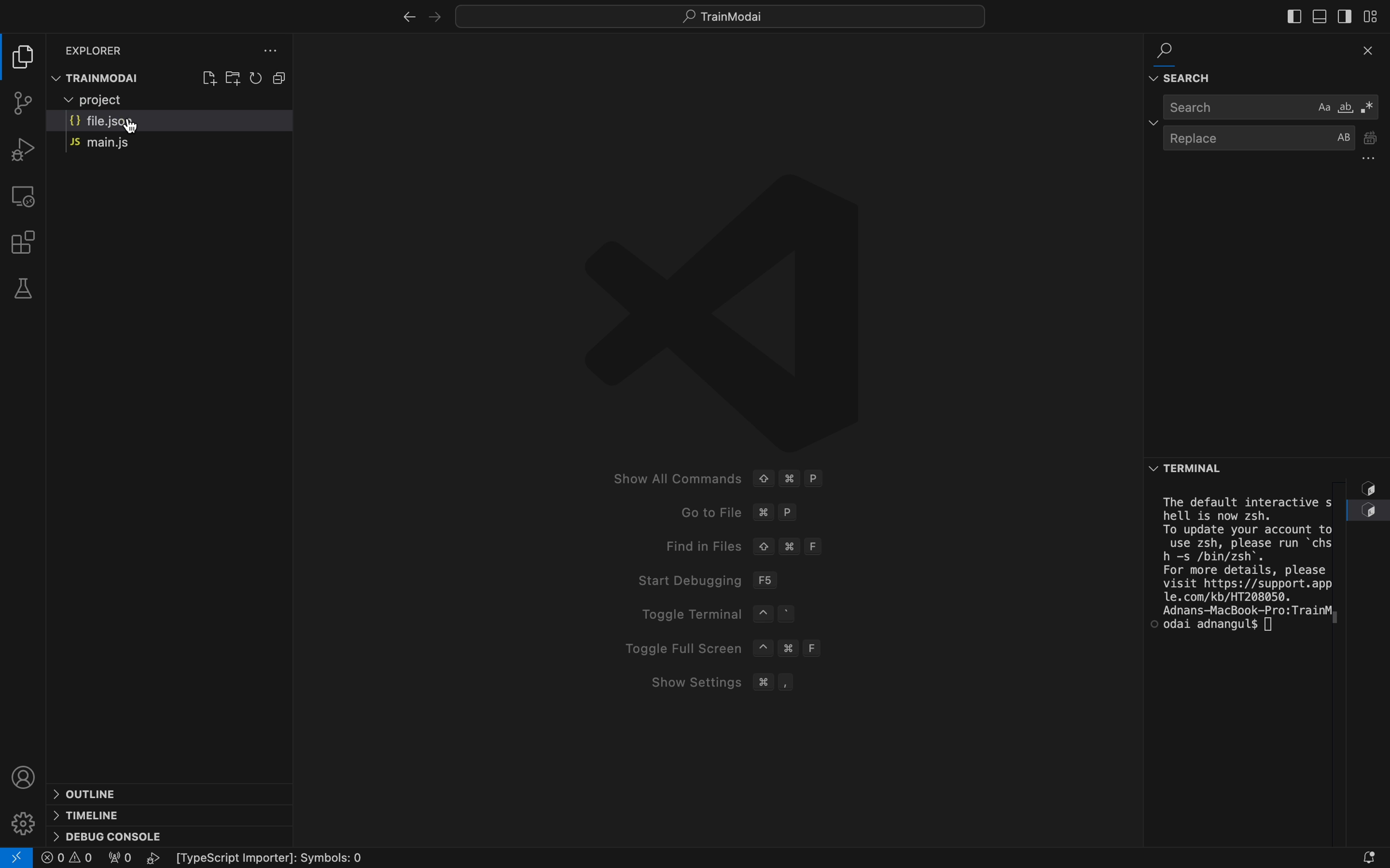 The height and width of the screenshot is (868, 1390). Describe the element at coordinates (119, 816) in the screenshot. I see `timeline` at that location.